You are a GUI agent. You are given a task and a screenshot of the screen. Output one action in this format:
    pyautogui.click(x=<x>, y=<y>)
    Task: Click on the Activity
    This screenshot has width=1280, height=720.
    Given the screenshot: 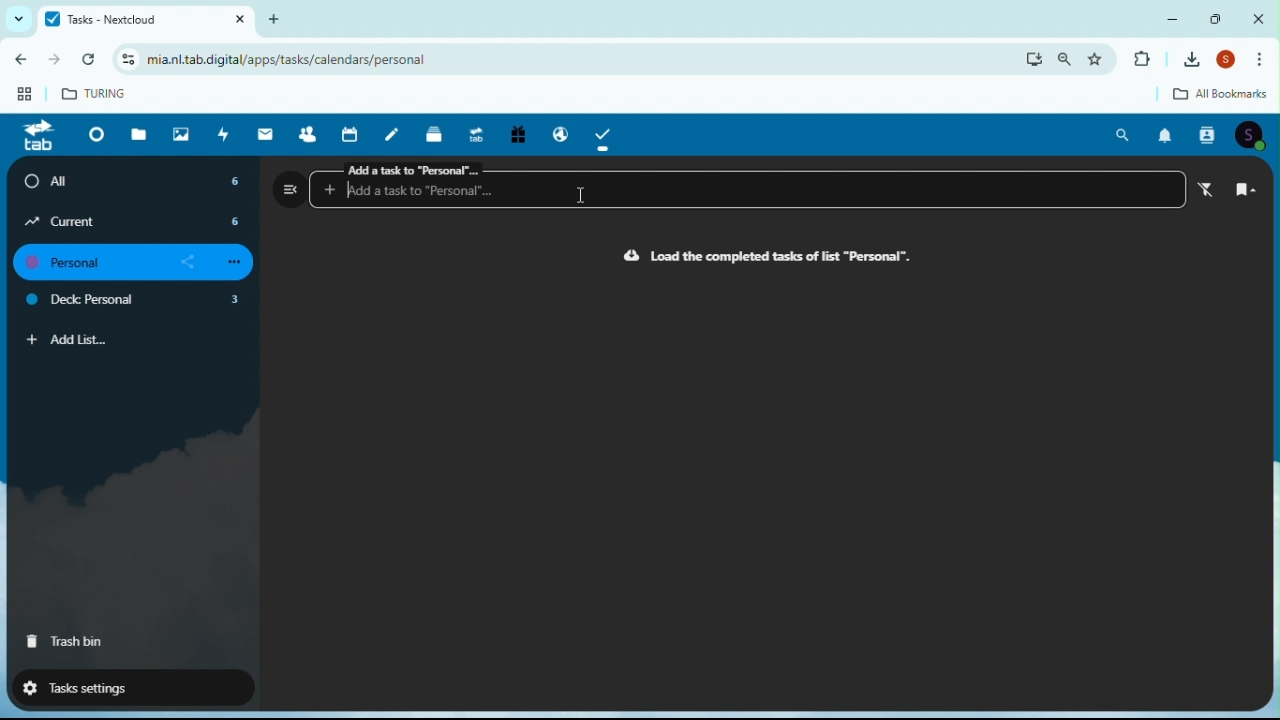 What is the action you would take?
    pyautogui.click(x=224, y=134)
    